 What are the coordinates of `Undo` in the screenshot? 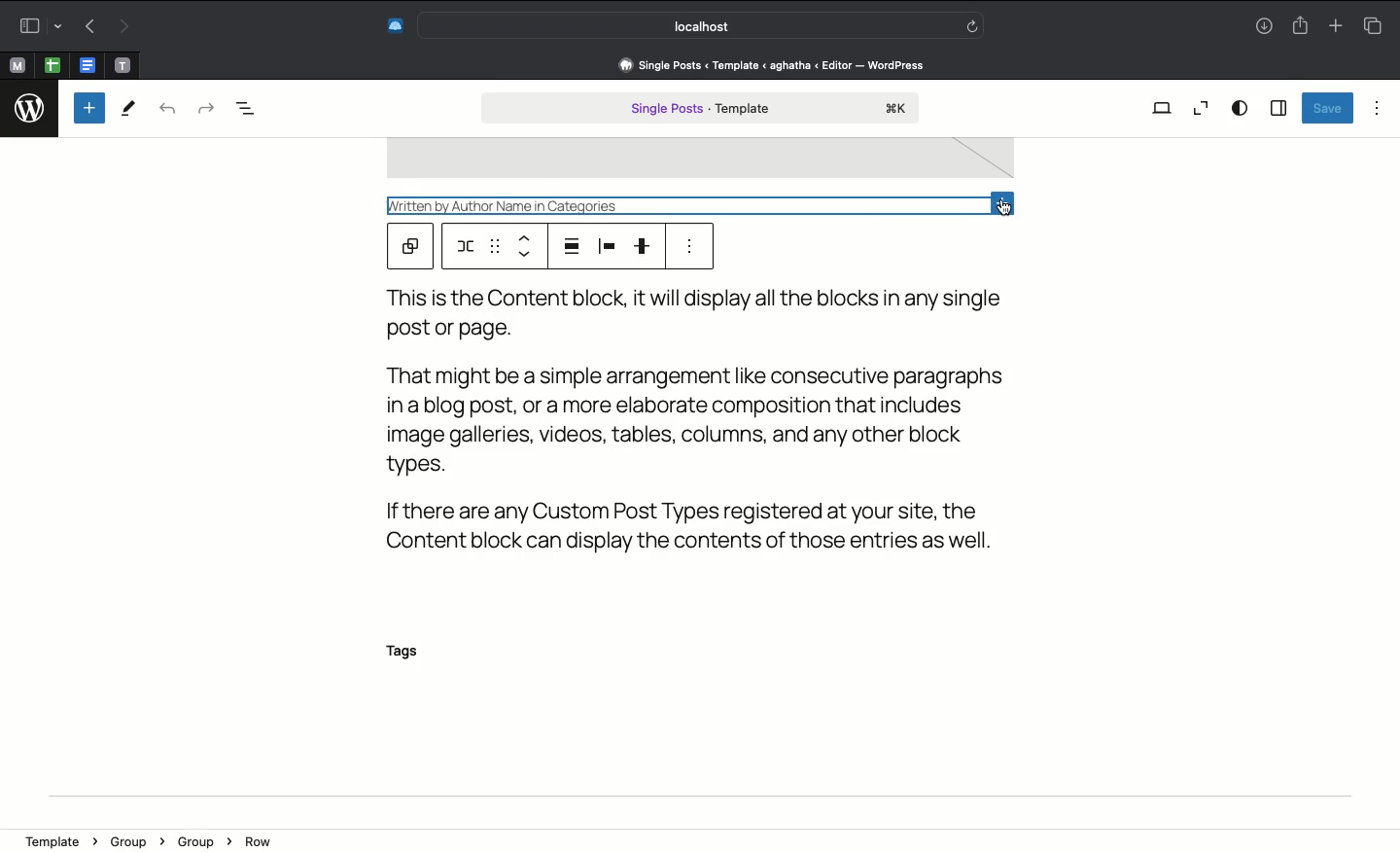 It's located at (167, 110).